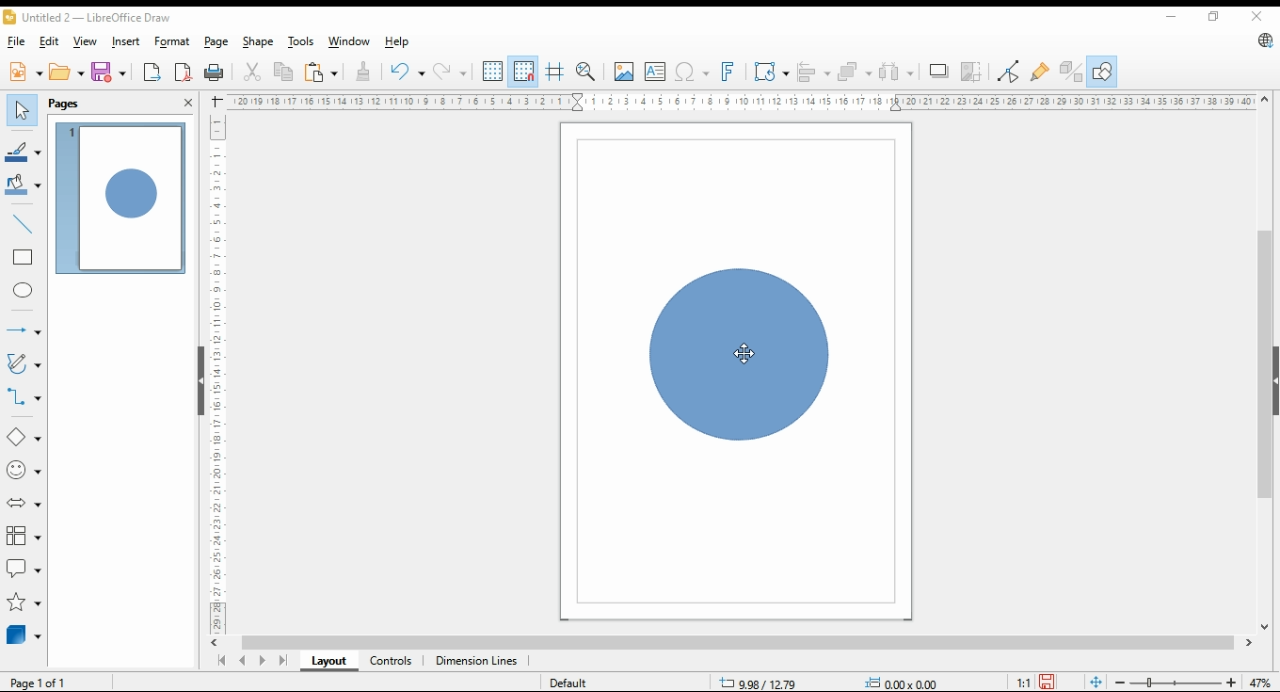 The height and width of the screenshot is (692, 1280). I want to click on controls, so click(390, 659).